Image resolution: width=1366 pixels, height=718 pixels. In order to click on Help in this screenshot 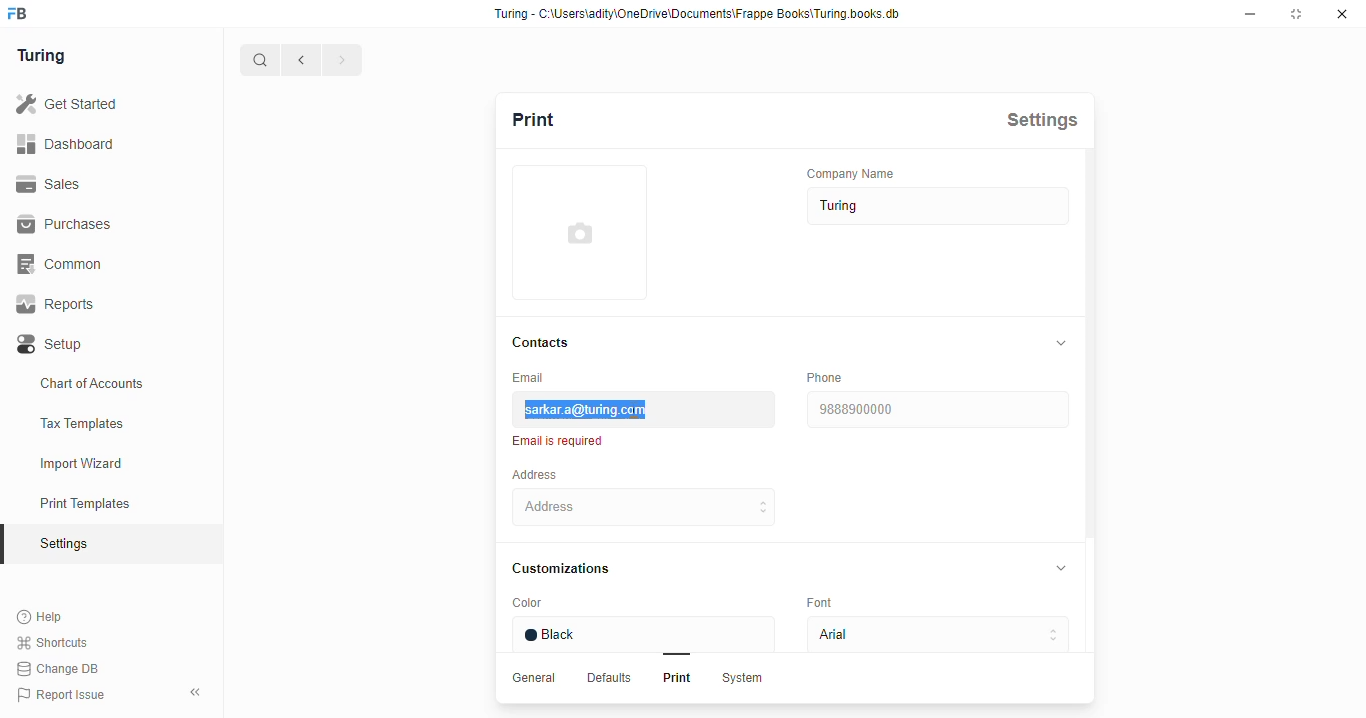, I will do `click(54, 616)`.